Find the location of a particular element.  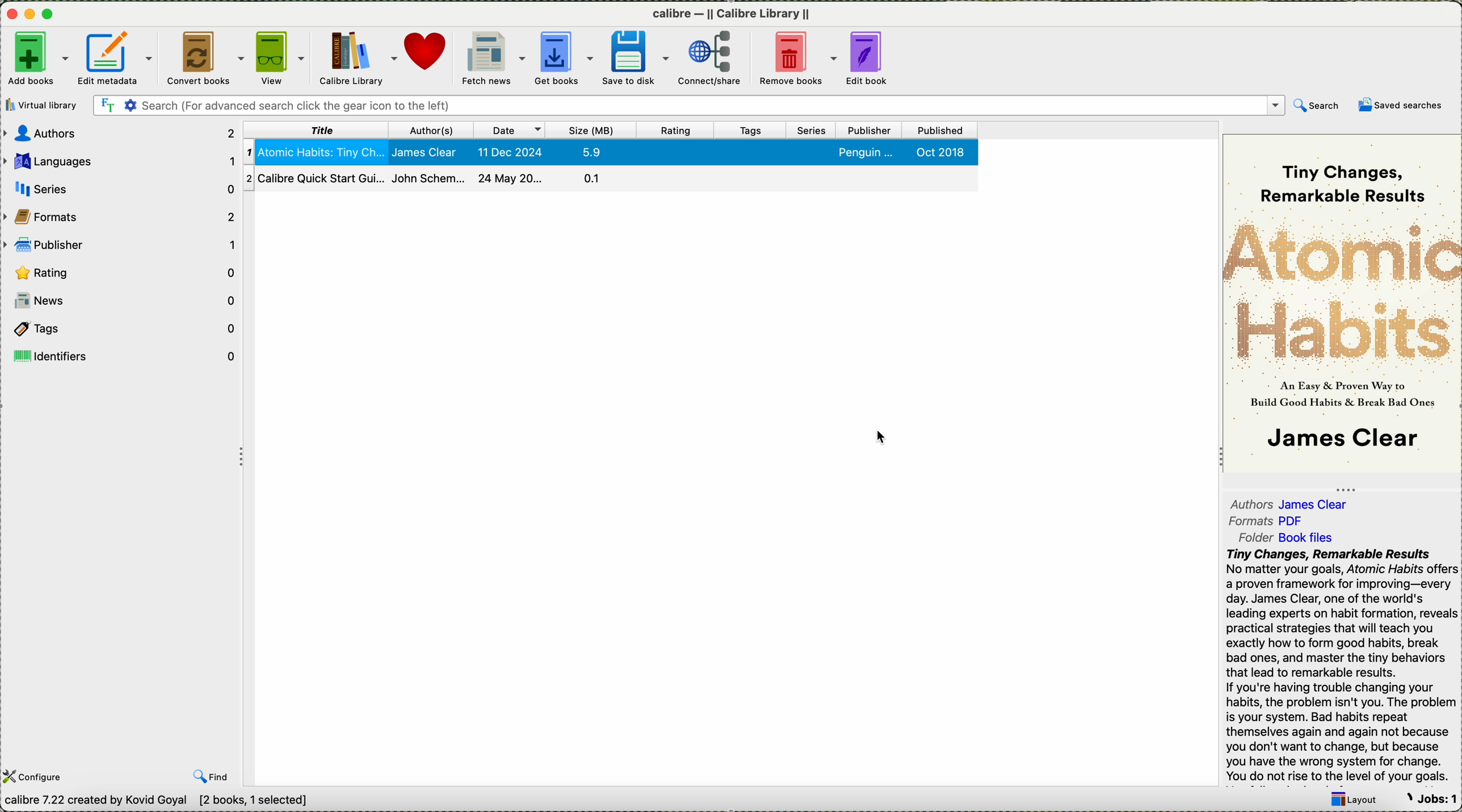

summary is located at coordinates (1342, 665).